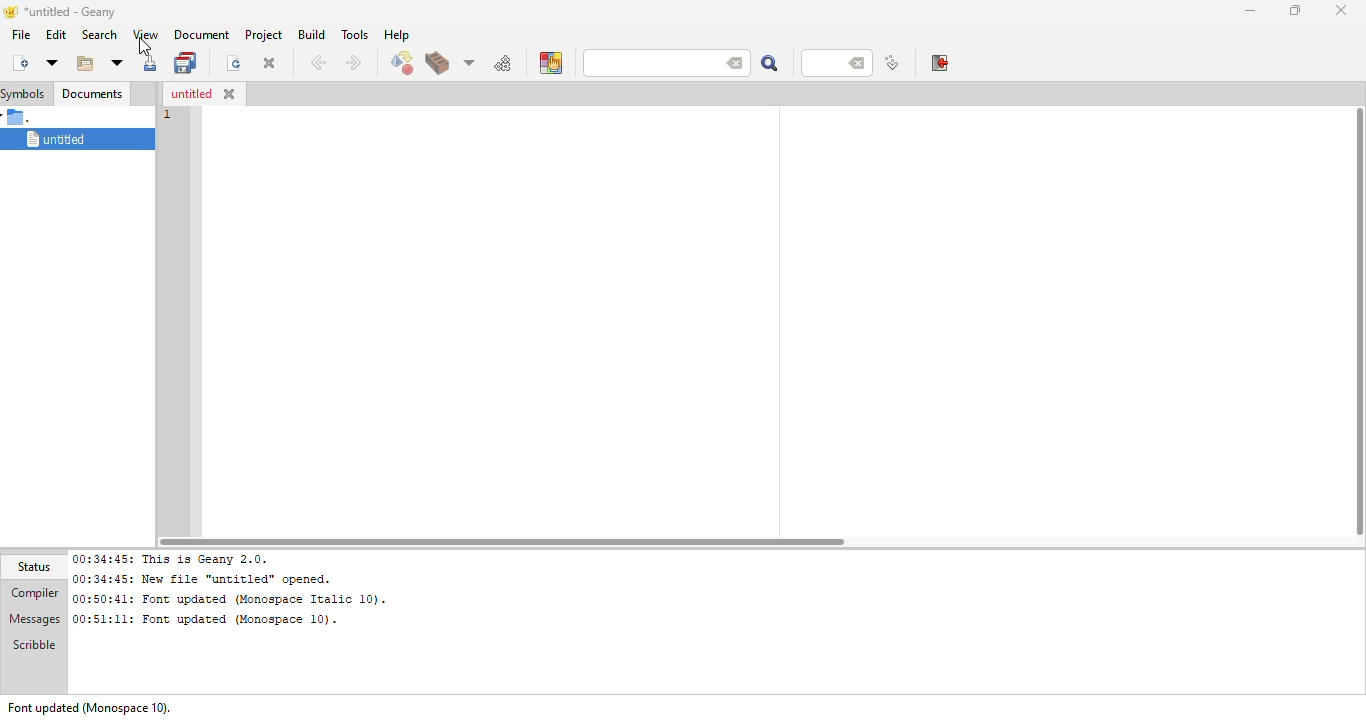 This screenshot has height=720, width=1366. What do you see at coordinates (938, 63) in the screenshot?
I see `exit` at bounding box center [938, 63].